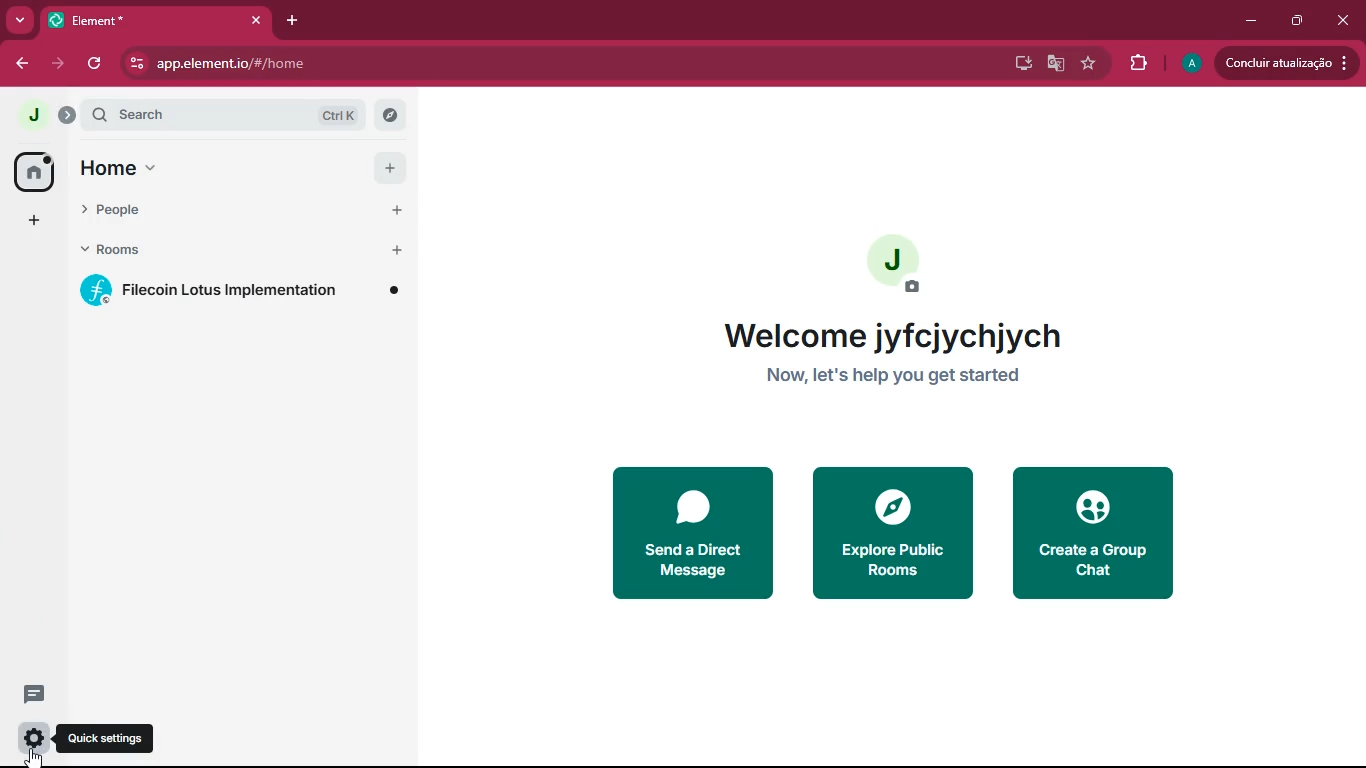 This screenshot has width=1366, height=768. Describe the element at coordinates (897, 263) in the screenshot. I see `profile picture` at that location.